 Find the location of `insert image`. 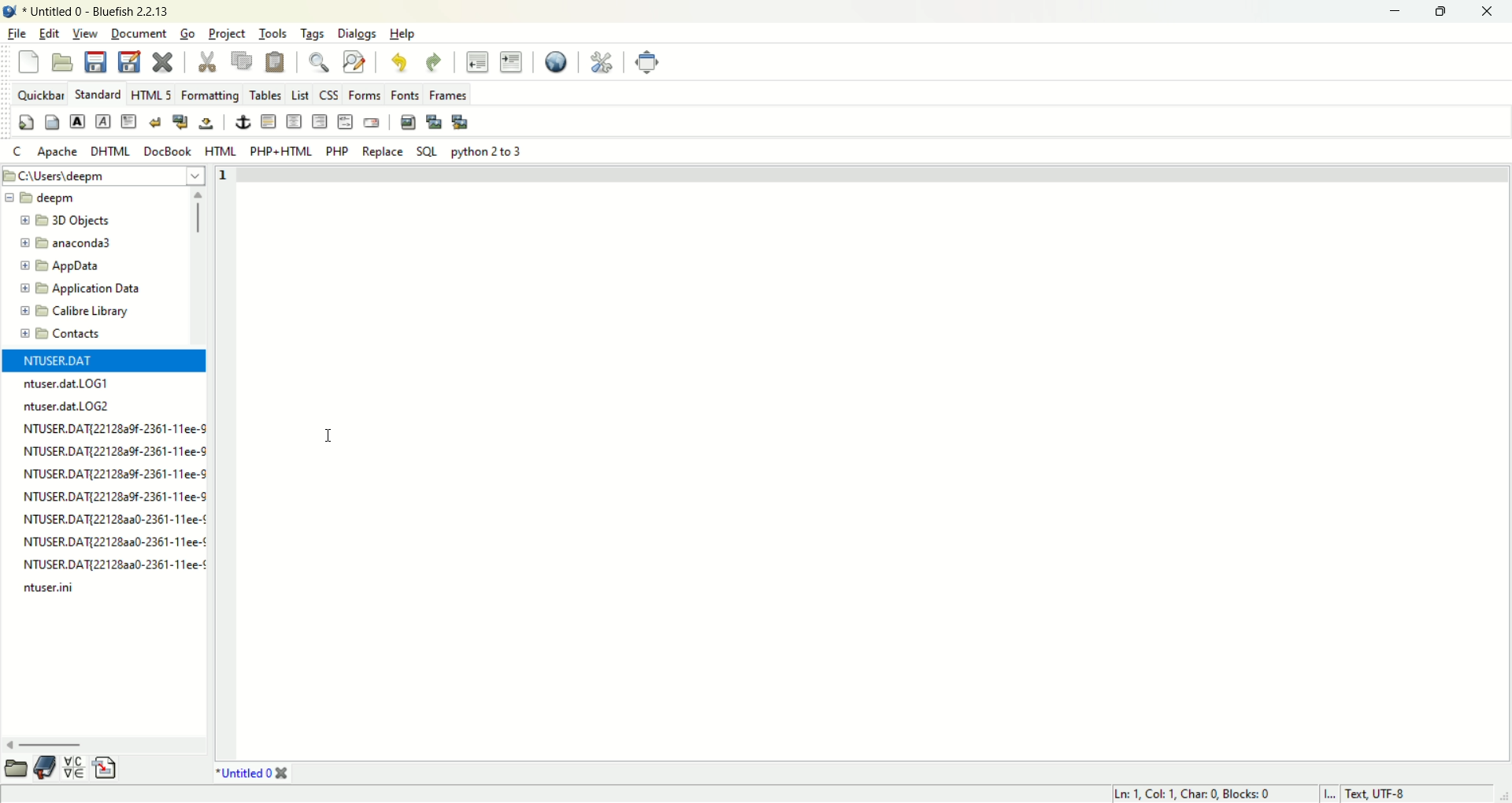

insert image is located at coordinates (408, 124).